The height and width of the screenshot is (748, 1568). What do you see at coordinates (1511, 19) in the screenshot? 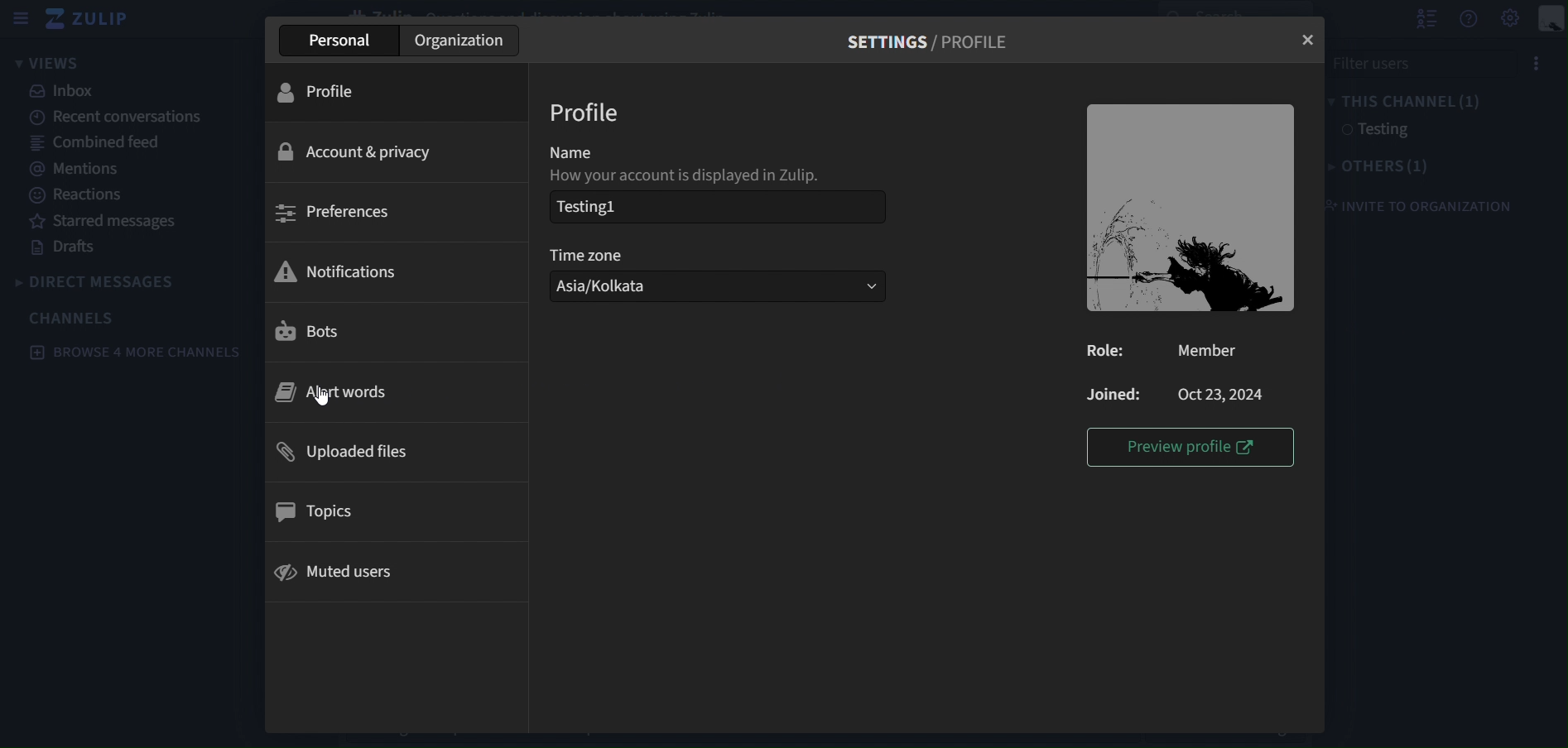
I see `main menu` at bounding box center [1511, 19].